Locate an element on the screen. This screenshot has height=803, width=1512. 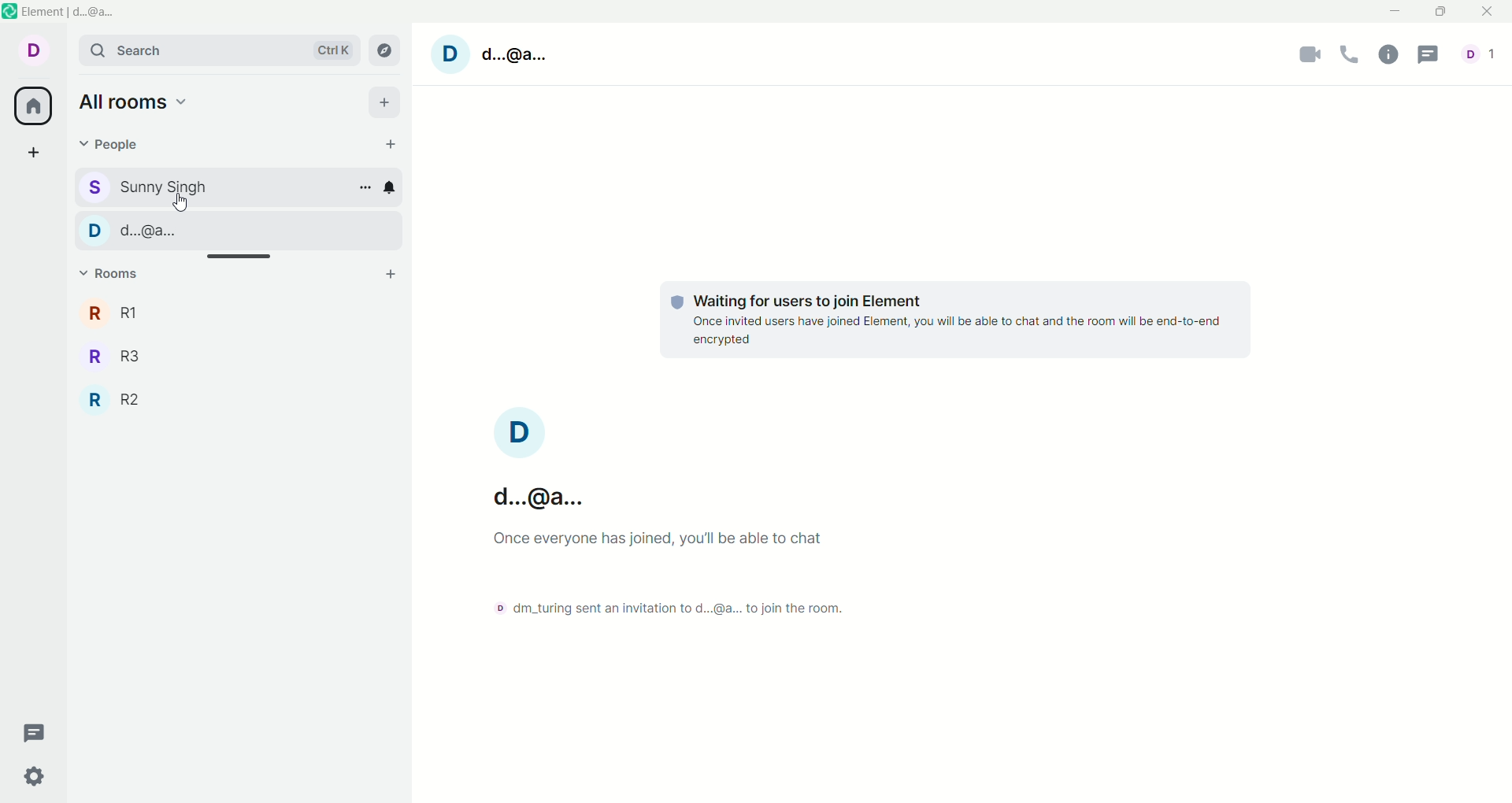
account is located at coordinates (32, 50).